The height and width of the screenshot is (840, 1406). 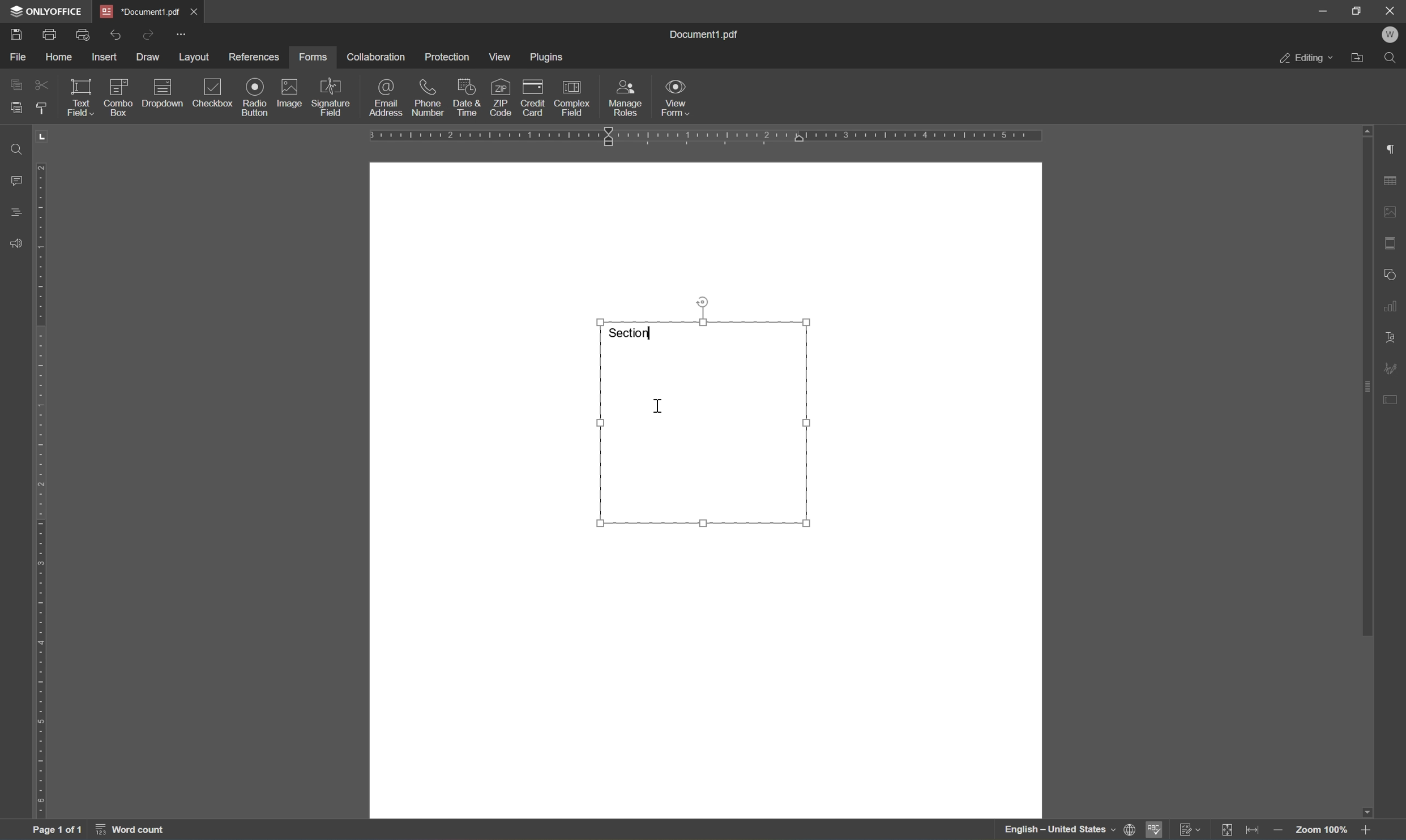 What do you see at coordinates (1192, 830) in the screenshot?
I see `track changes` at bounding box center [1192, 830].